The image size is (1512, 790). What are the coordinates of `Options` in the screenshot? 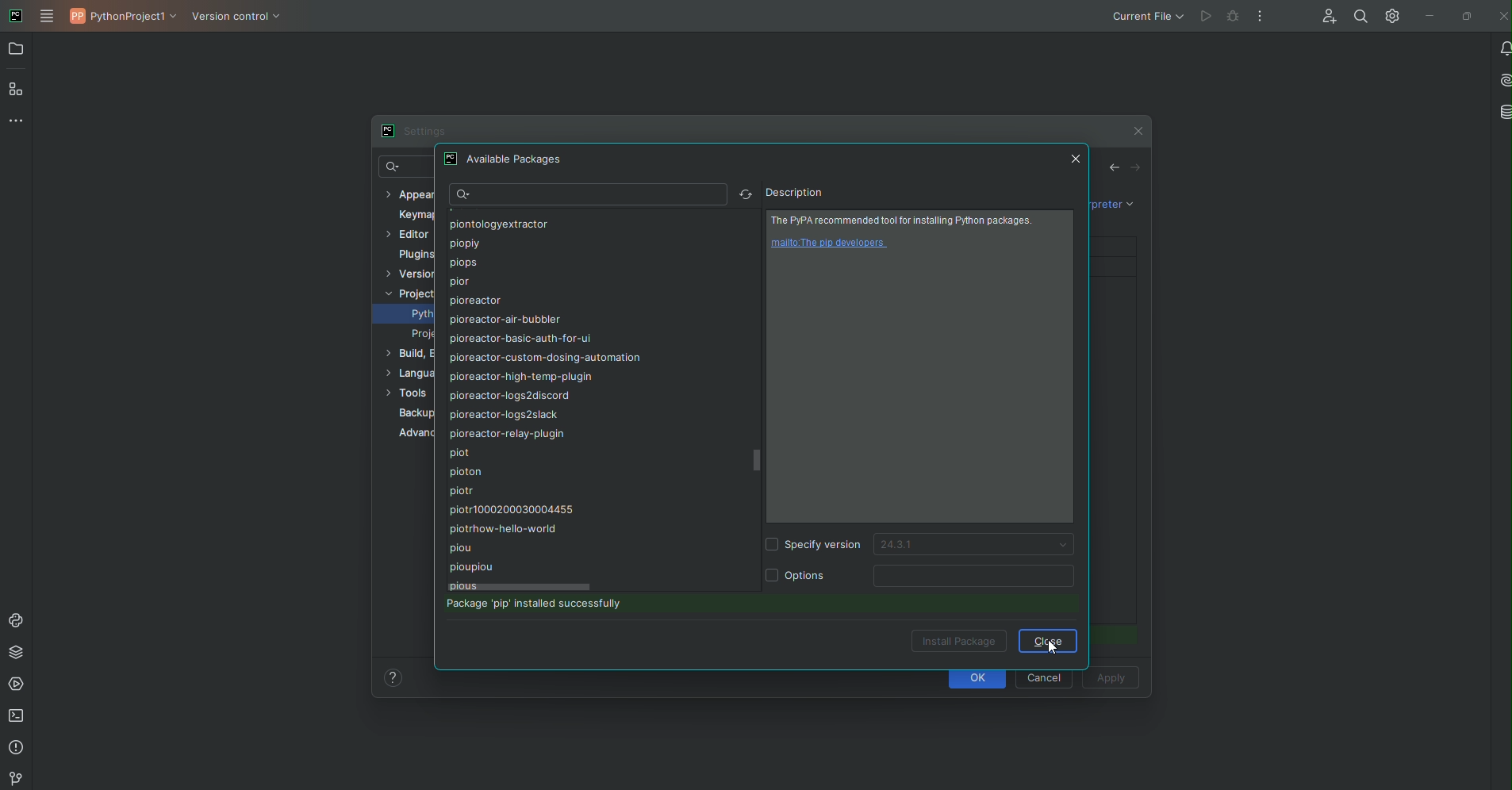 It's located at (797, 573).